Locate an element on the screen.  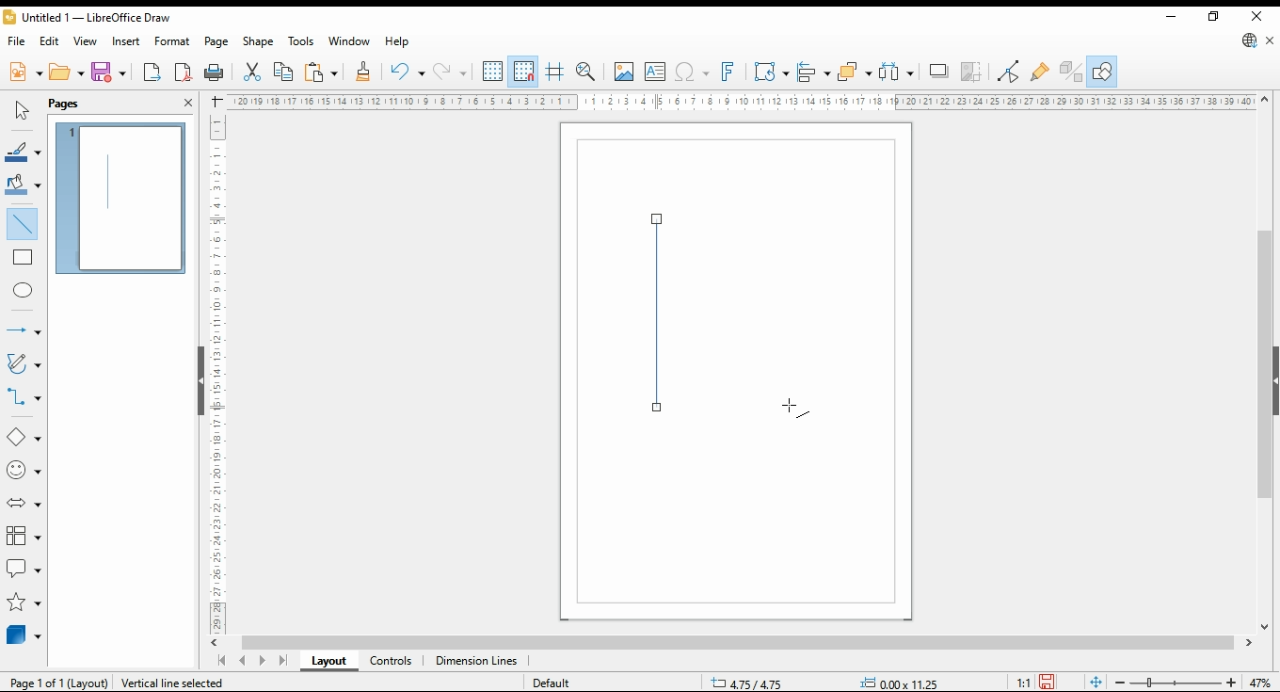
minimize is located at coordinates (1171, 17).